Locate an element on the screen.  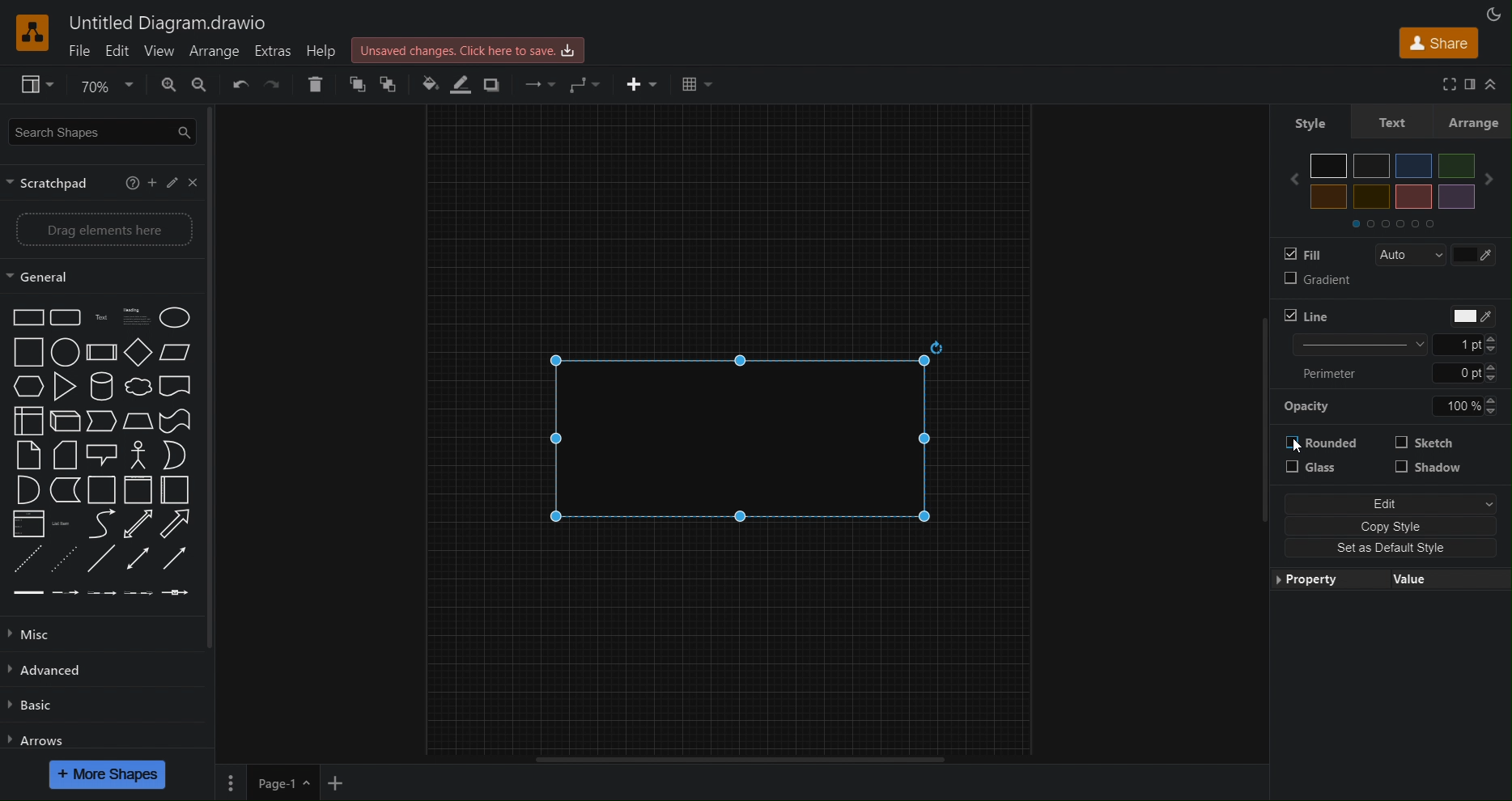
Property is located at coordinates (1326, 581).